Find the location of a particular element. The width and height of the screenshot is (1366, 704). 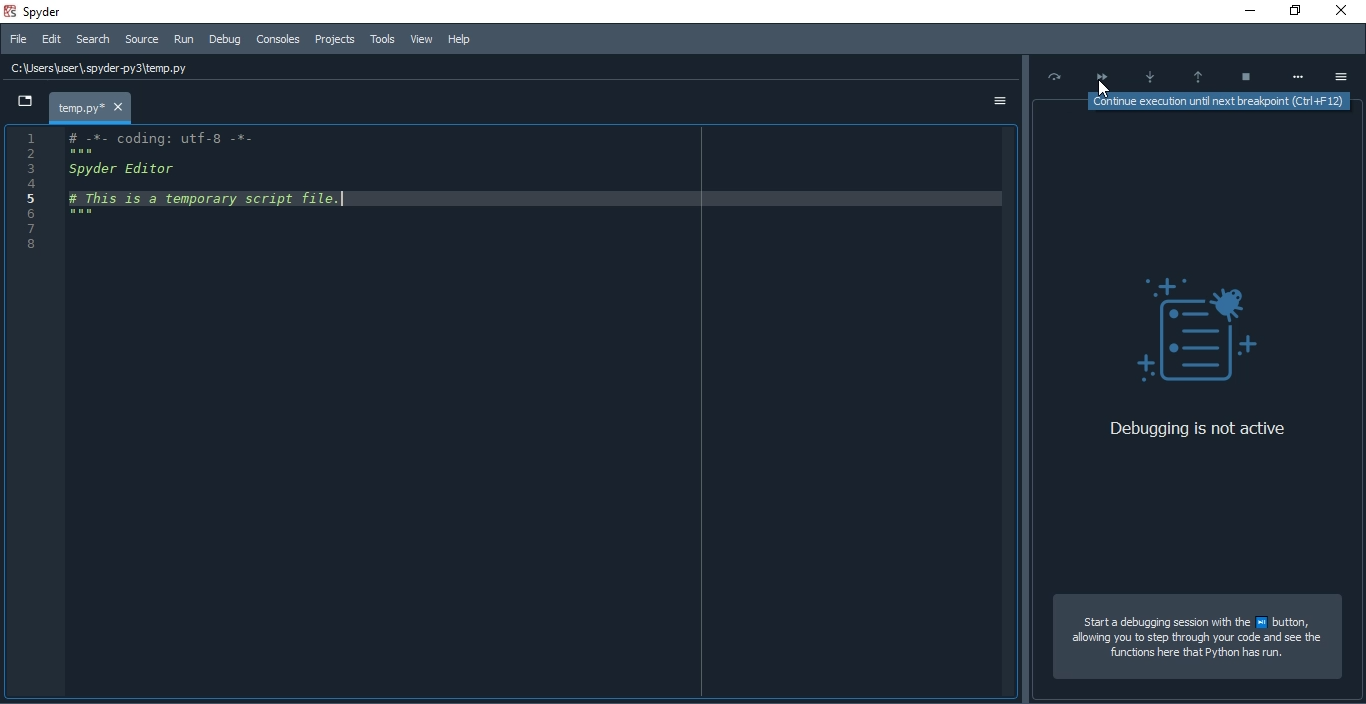

Stop debugging is located at coordinates (1246, 74).